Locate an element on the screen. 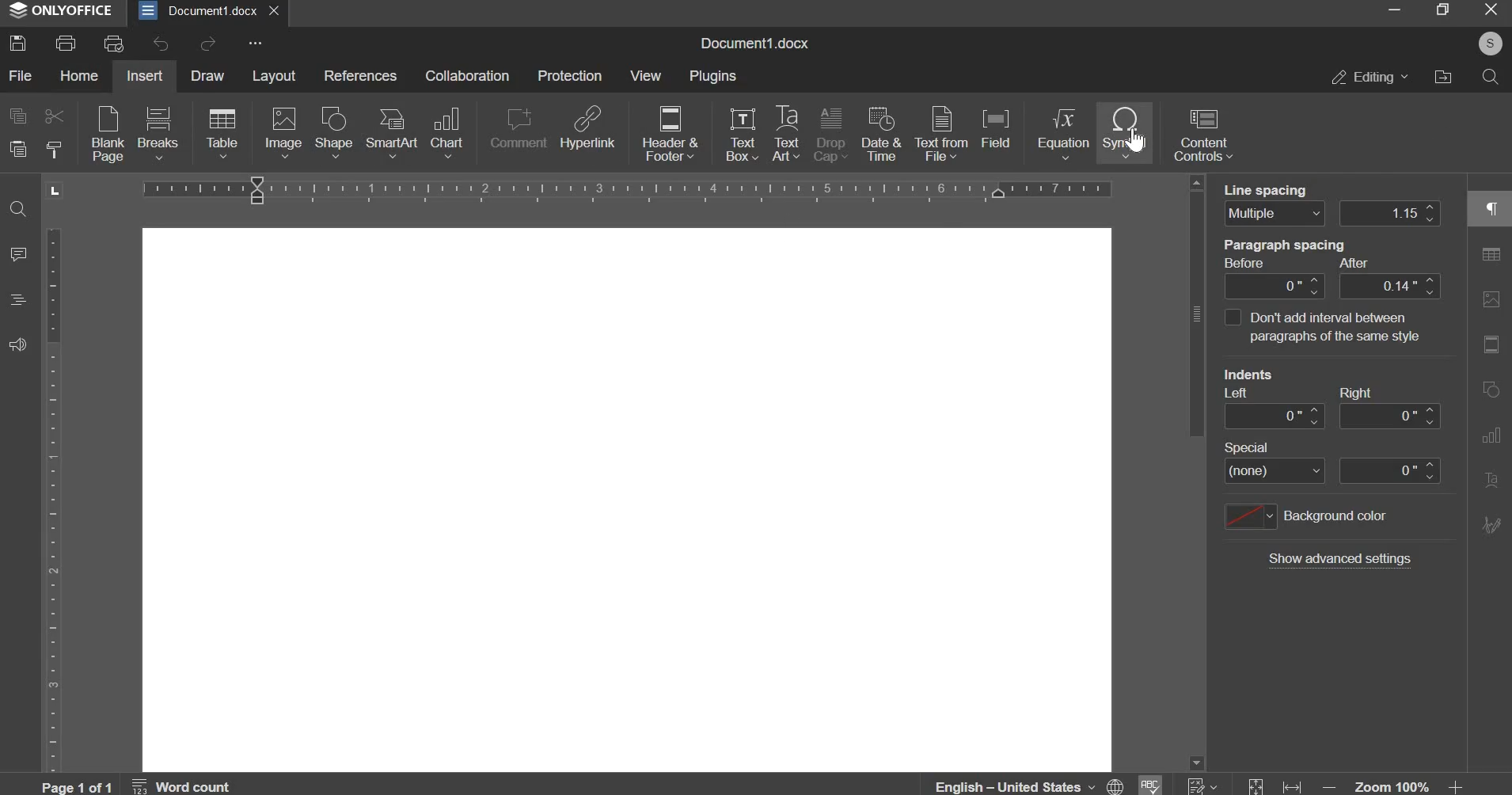 This screenshot has width=1512, height=795. layout is located at coordinates (273, 75).